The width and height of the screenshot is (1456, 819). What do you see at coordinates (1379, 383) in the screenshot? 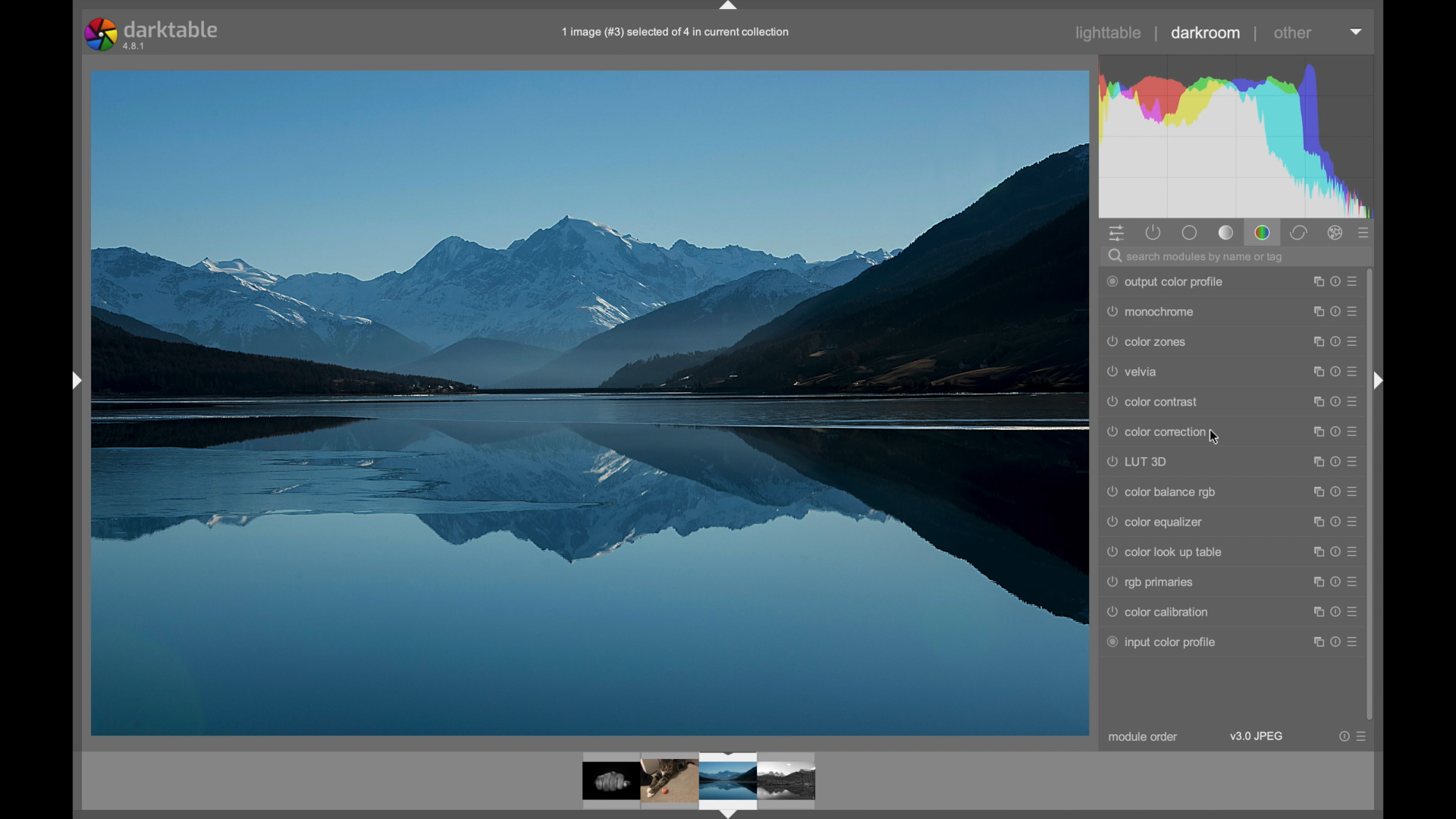
I see `` at bounding box center [1379, 383].